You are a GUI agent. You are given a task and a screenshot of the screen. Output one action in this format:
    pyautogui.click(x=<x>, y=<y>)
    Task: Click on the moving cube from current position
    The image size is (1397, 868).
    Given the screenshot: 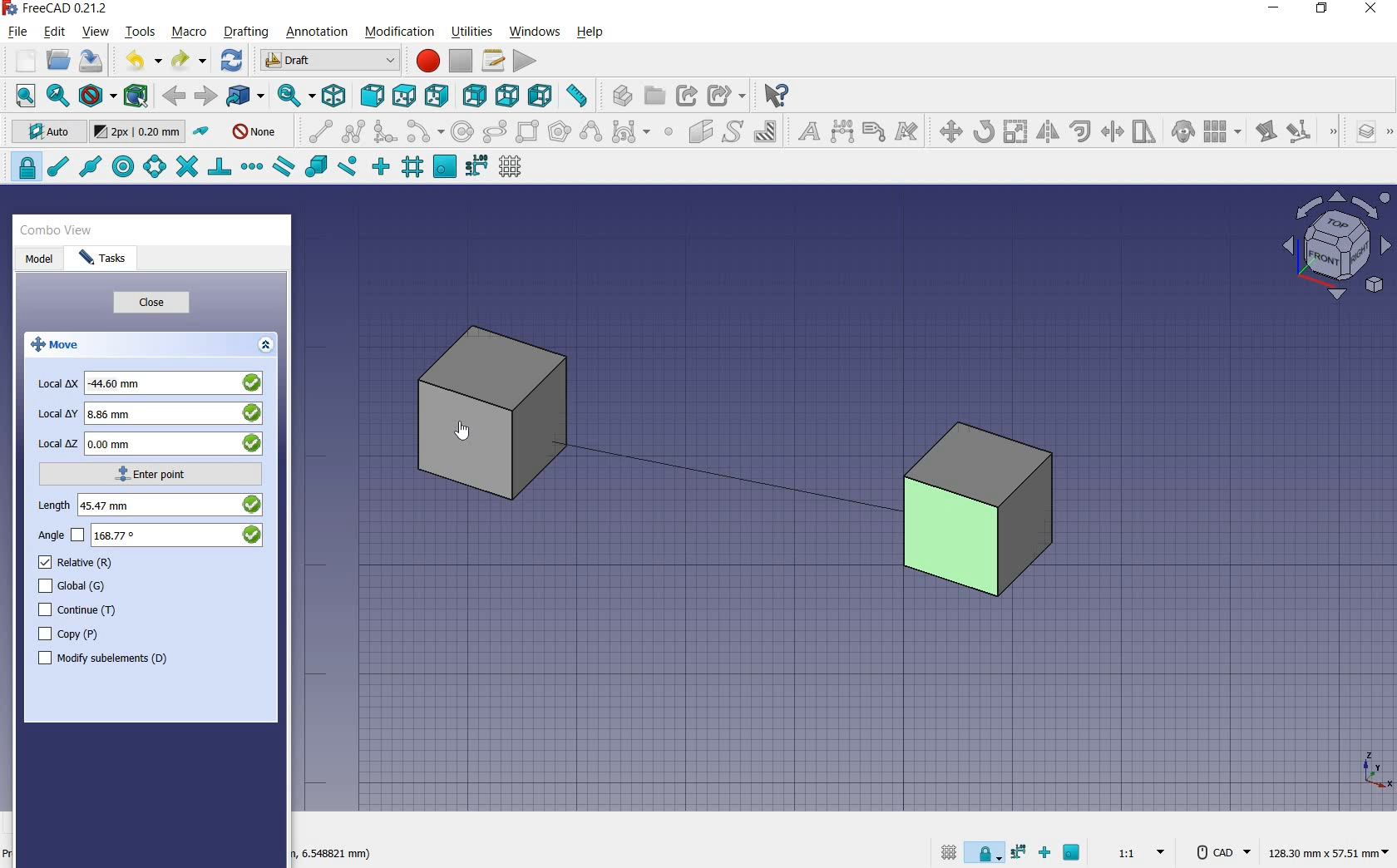 What is the action you would take?
    pyautogui.click(x=735, y=461)
    